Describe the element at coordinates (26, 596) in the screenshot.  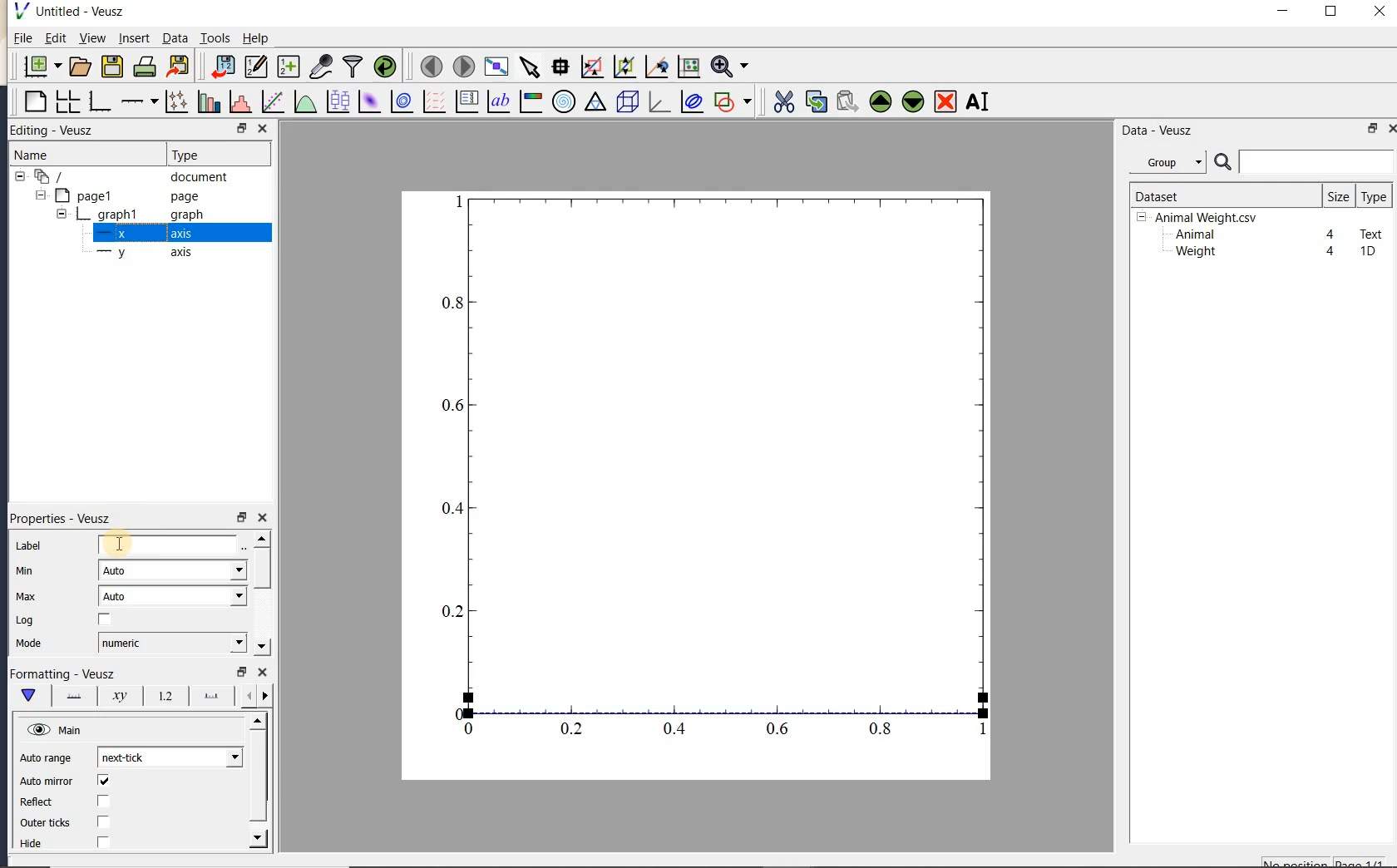
I see `Max` at that location.